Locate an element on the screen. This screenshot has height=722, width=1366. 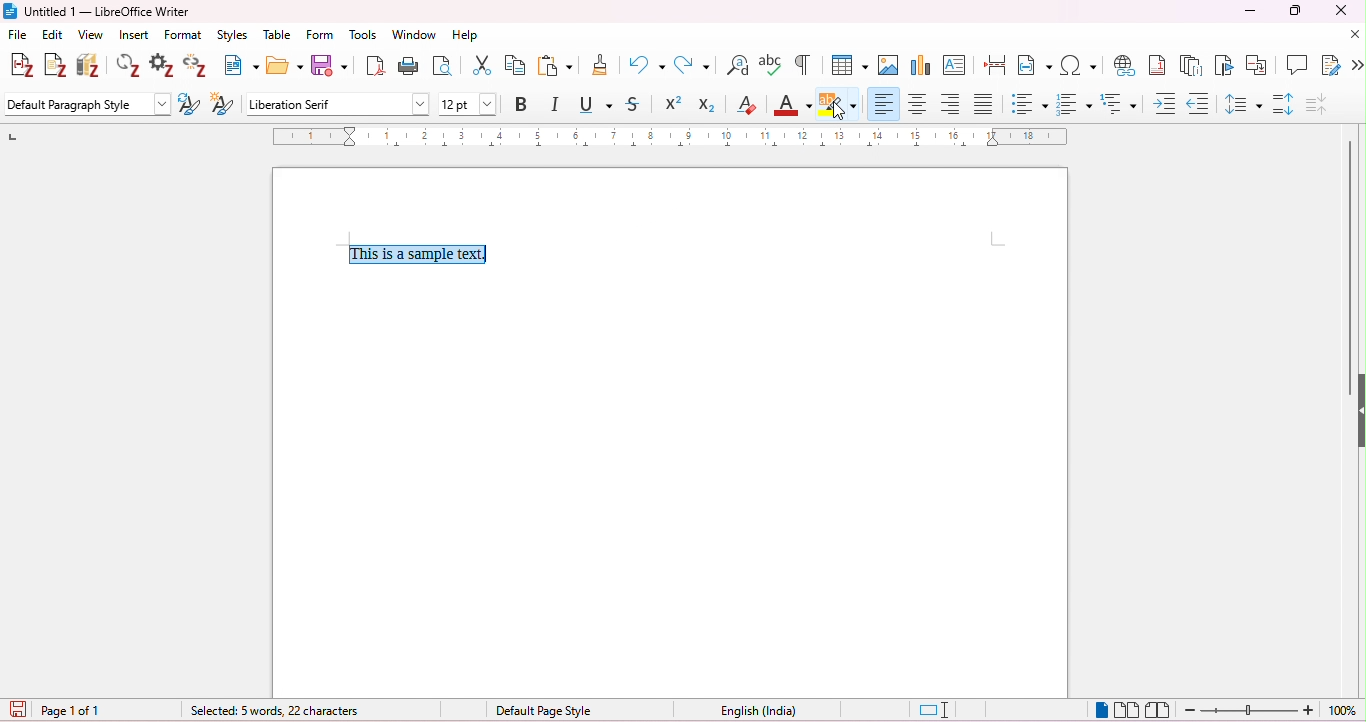
underline is located at coordinates (591, 104).